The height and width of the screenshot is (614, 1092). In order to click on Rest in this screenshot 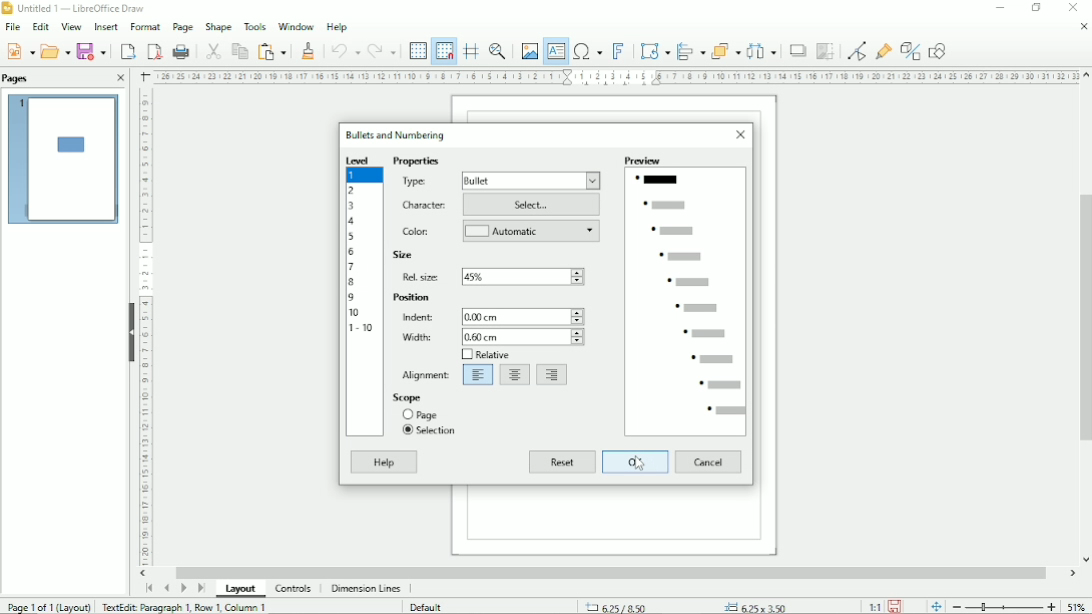, I will do `click(562, 463)`.